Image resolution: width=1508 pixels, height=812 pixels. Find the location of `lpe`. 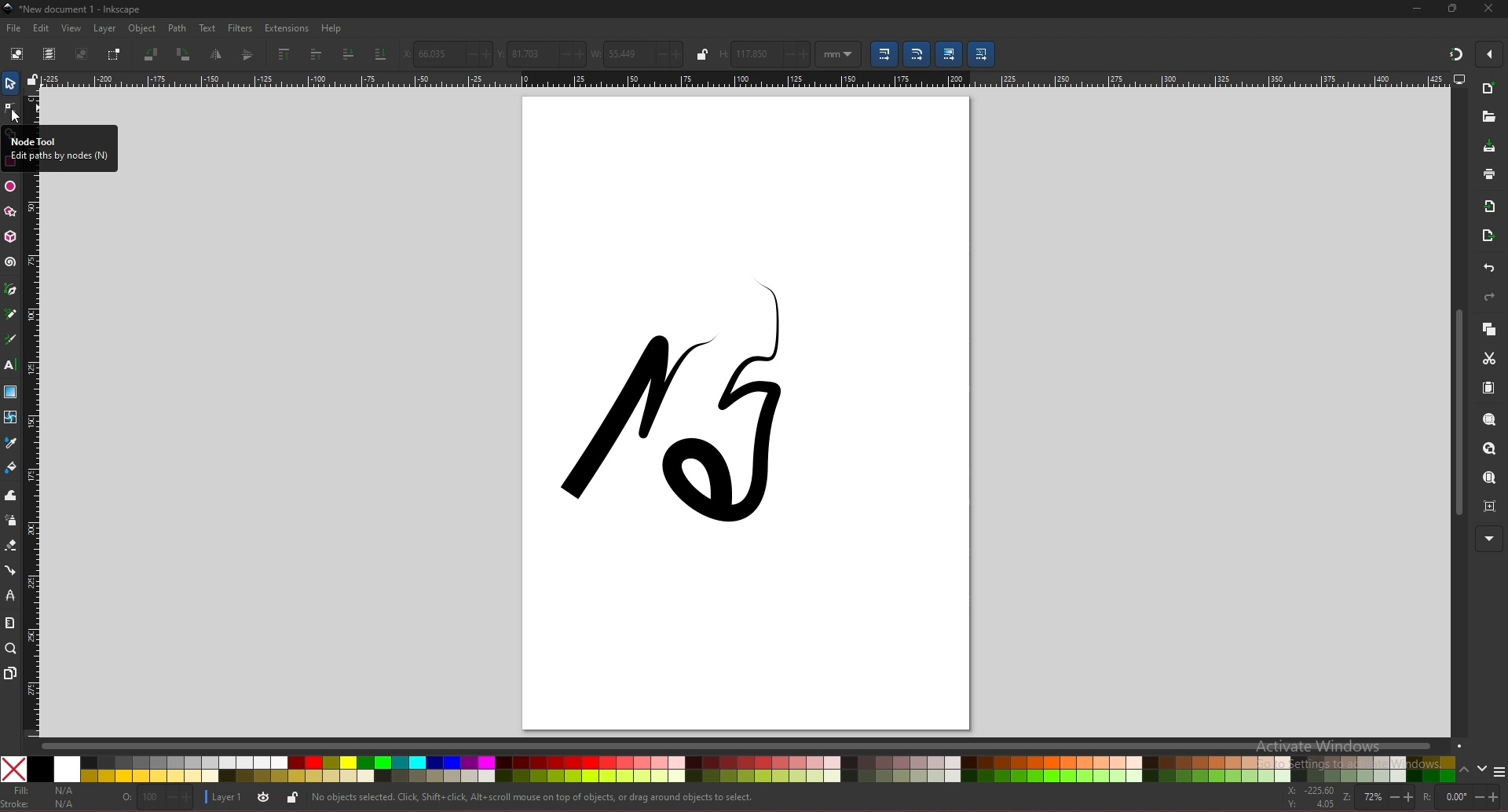

lpe is located at coordinates (12, 596).